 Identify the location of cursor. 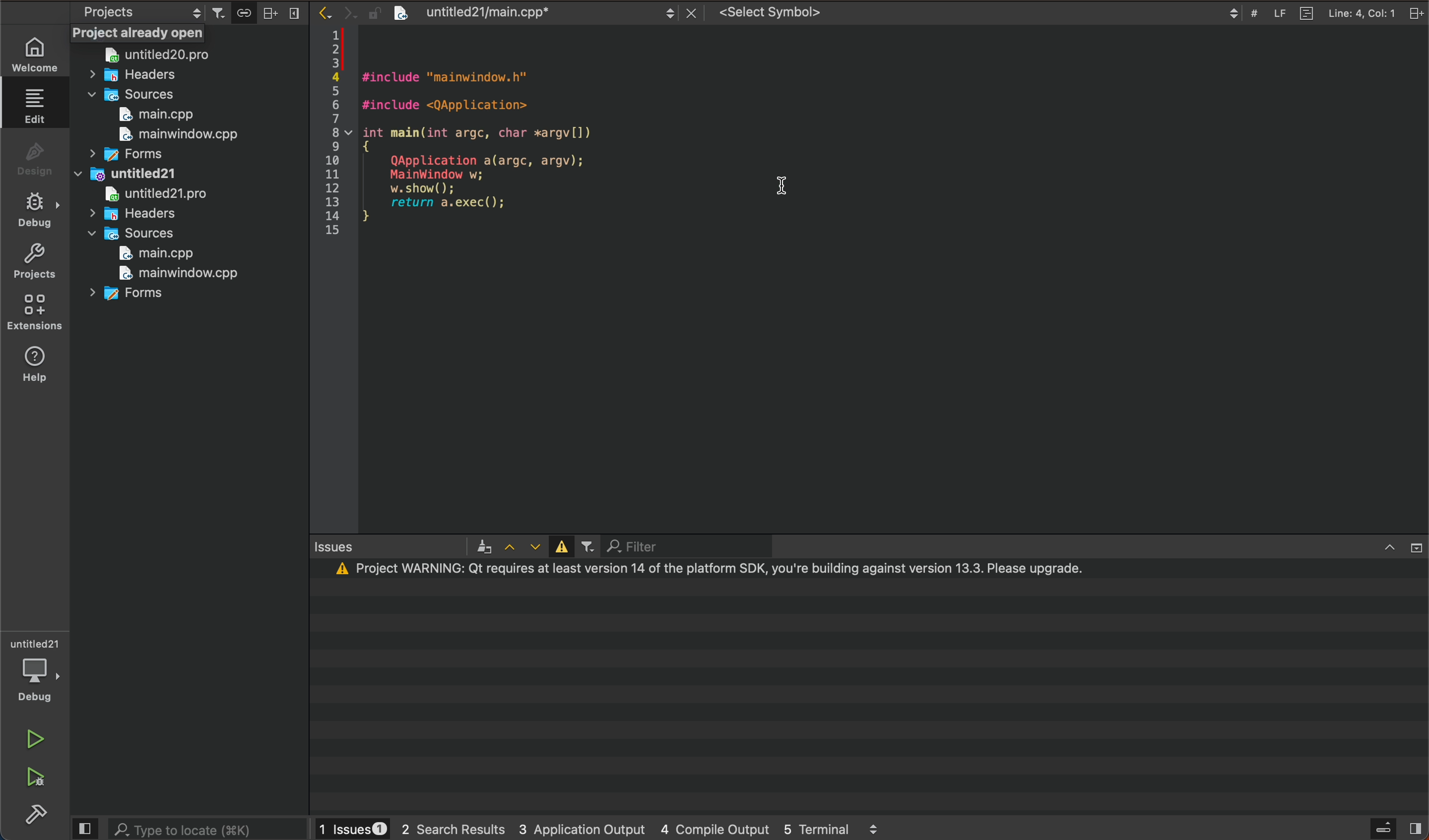
(790, 178).